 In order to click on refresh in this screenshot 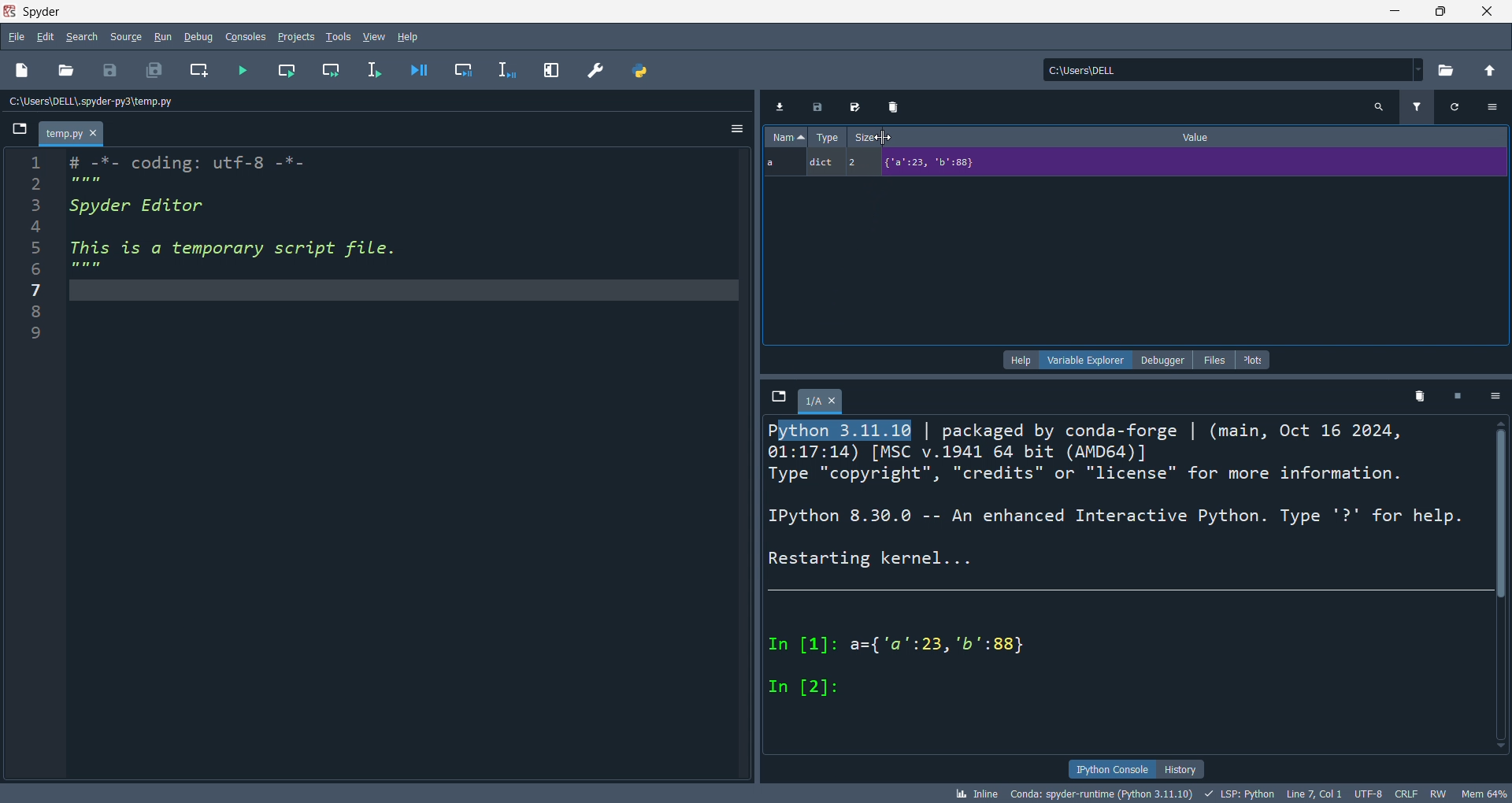, I will do `click(1457, 107)`.